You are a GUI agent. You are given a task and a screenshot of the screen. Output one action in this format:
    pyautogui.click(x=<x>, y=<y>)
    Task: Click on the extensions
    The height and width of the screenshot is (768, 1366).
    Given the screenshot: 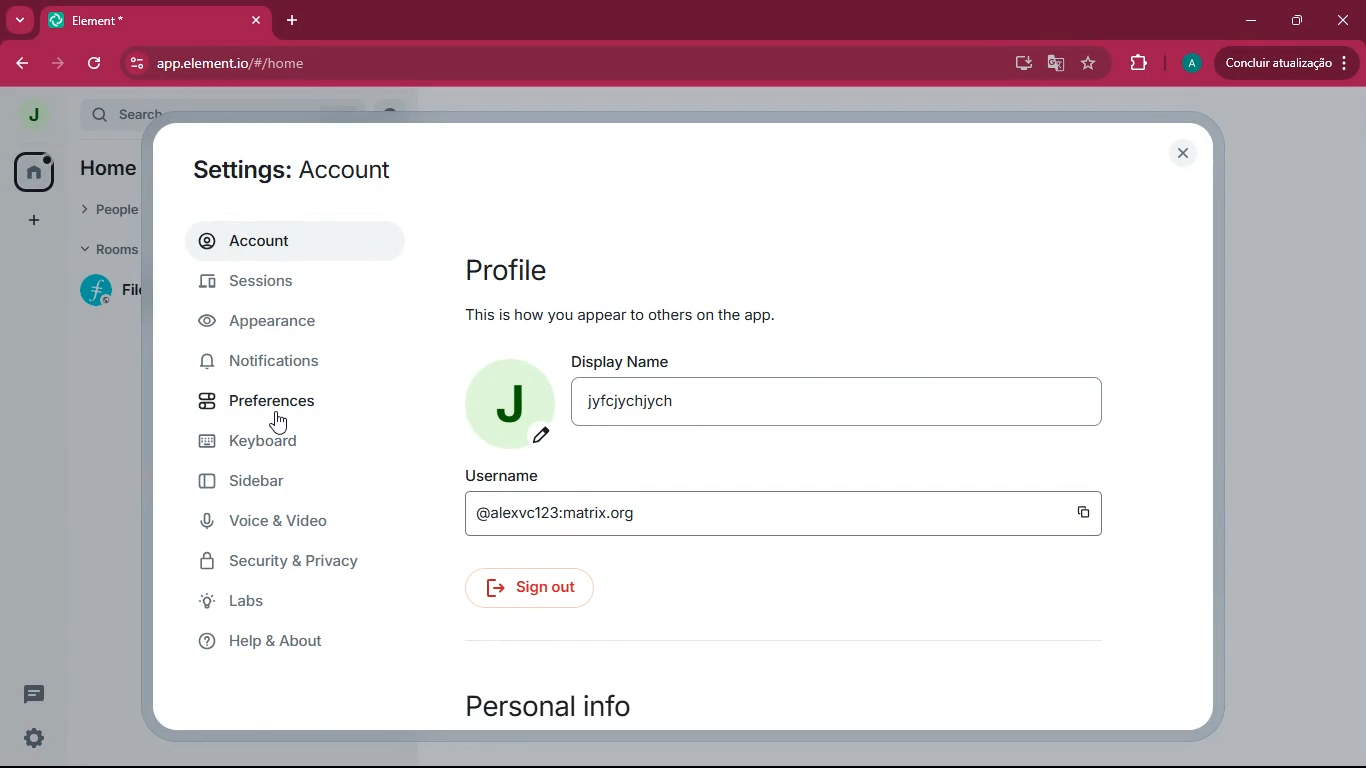 What is the action you would take?
    pyautogui.click(x=1136, y=65)
    